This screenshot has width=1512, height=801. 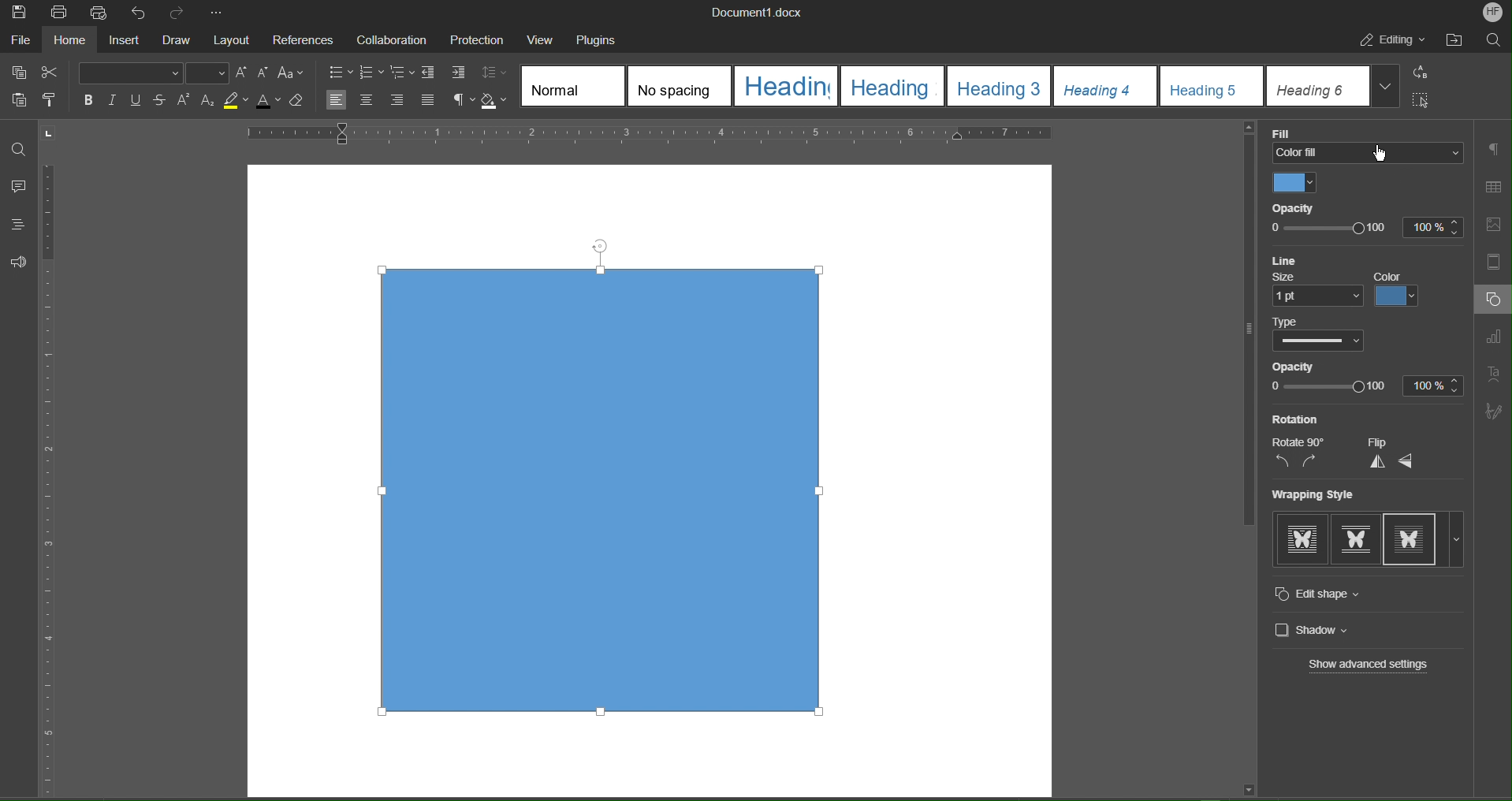 What do you see at coordinates (1249, 788) in the screenshot?
I see `Scroll down` at bounding box center [1249, 788].